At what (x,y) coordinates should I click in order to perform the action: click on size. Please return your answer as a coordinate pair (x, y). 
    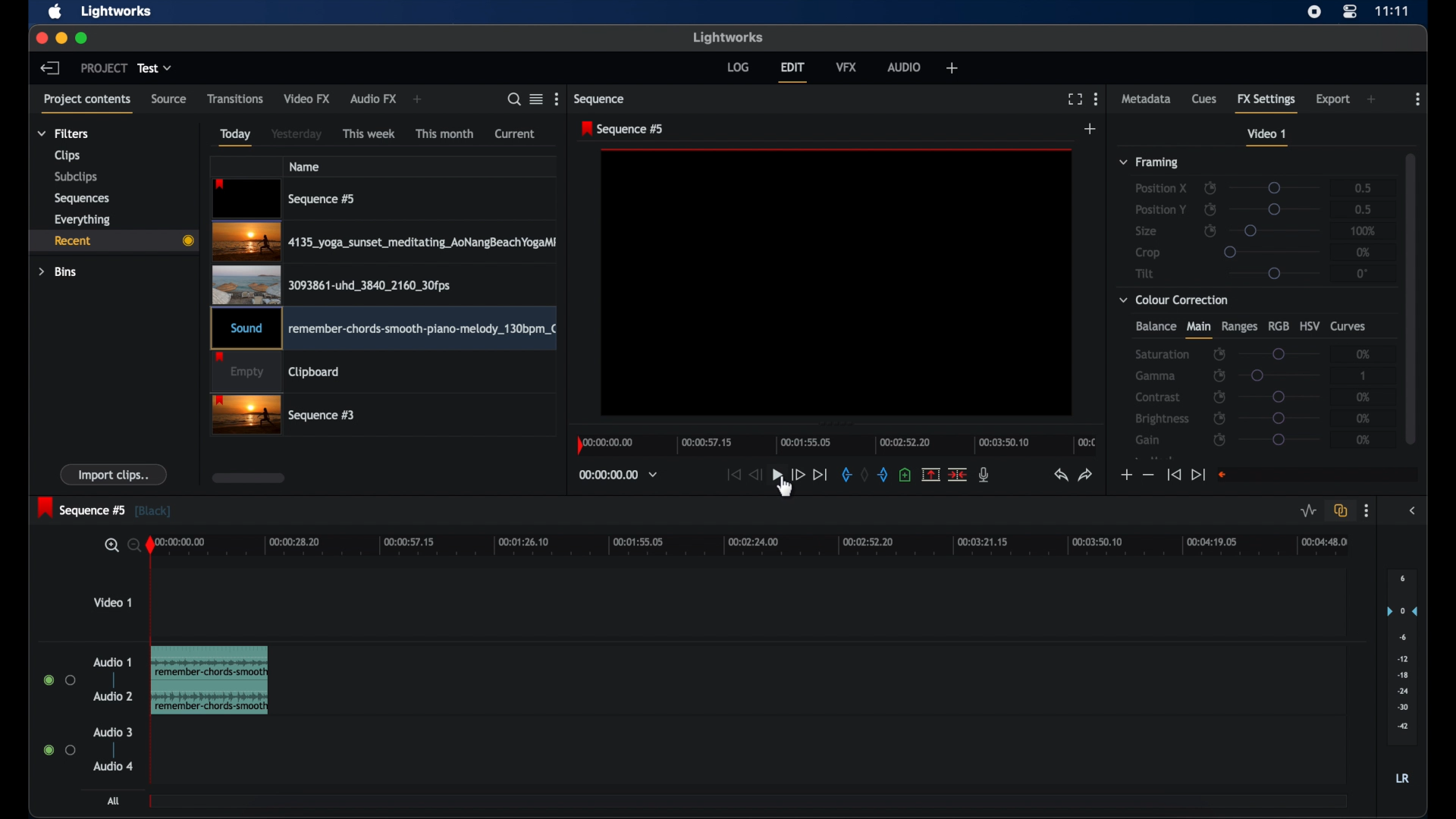
    Looking at the image, I should click on (1146, 231).